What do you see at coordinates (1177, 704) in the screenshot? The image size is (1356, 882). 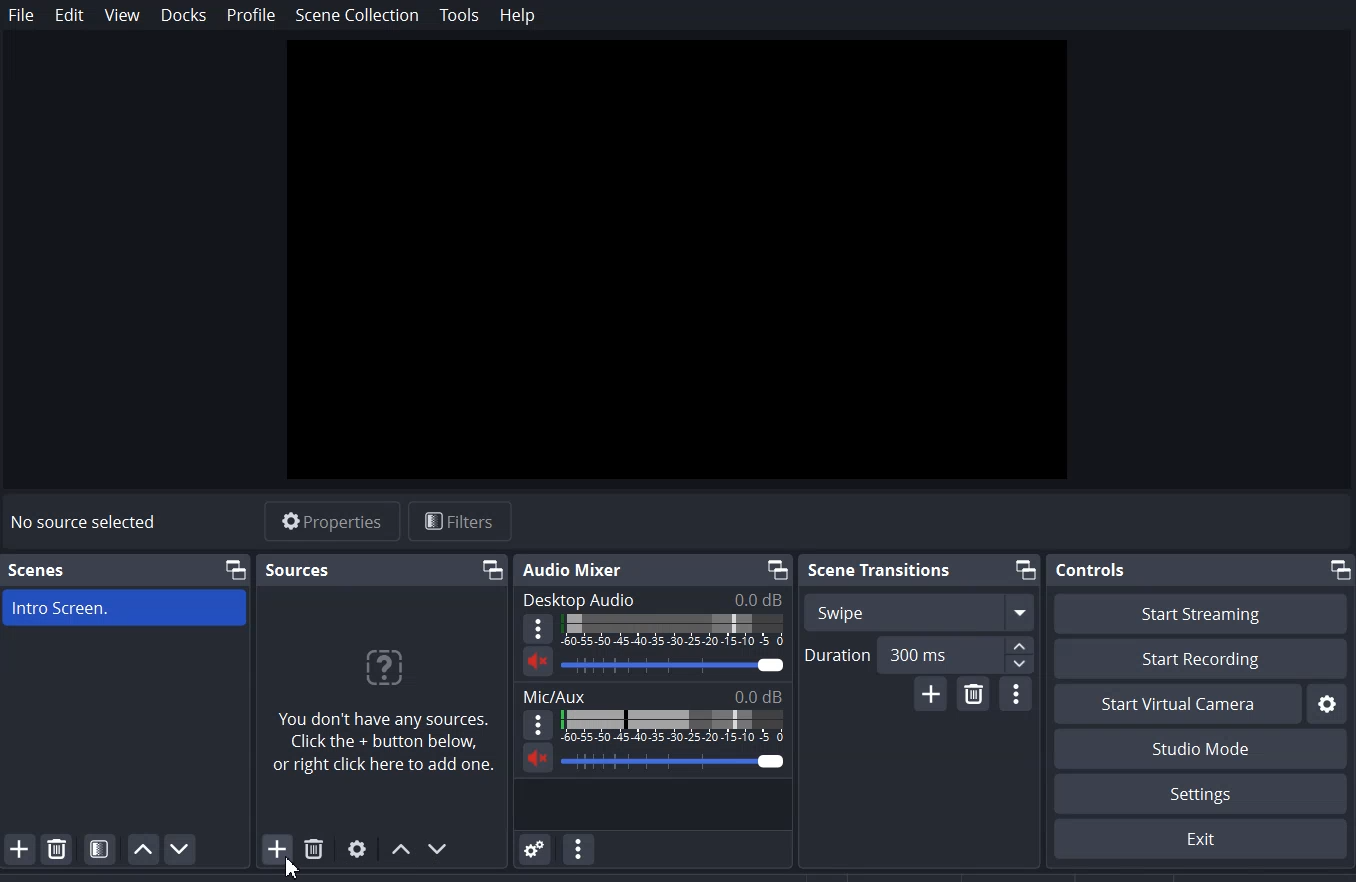 I see `Start Virtual camera` at bounding box center [1177, 704].